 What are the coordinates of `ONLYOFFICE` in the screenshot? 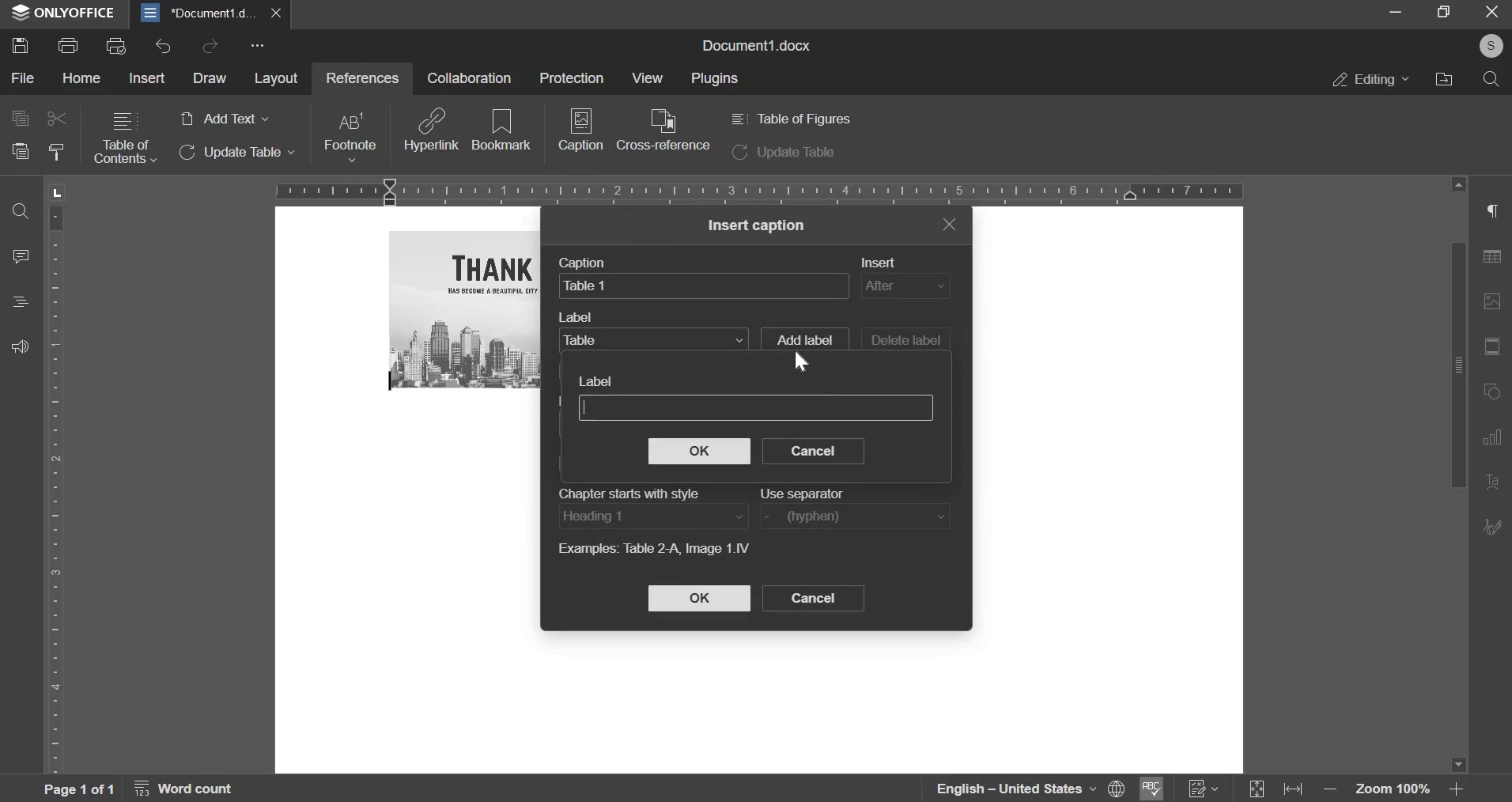 It's located at (63, 13).